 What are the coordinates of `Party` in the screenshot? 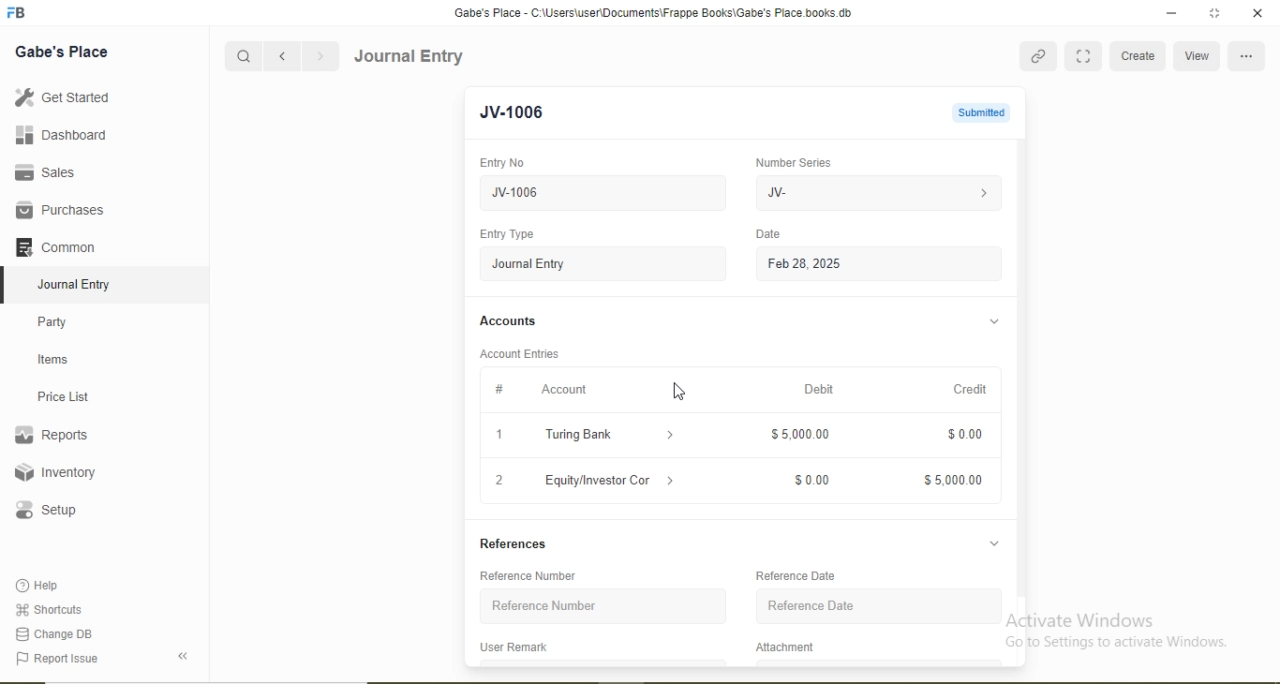 It's located at (53, 324).